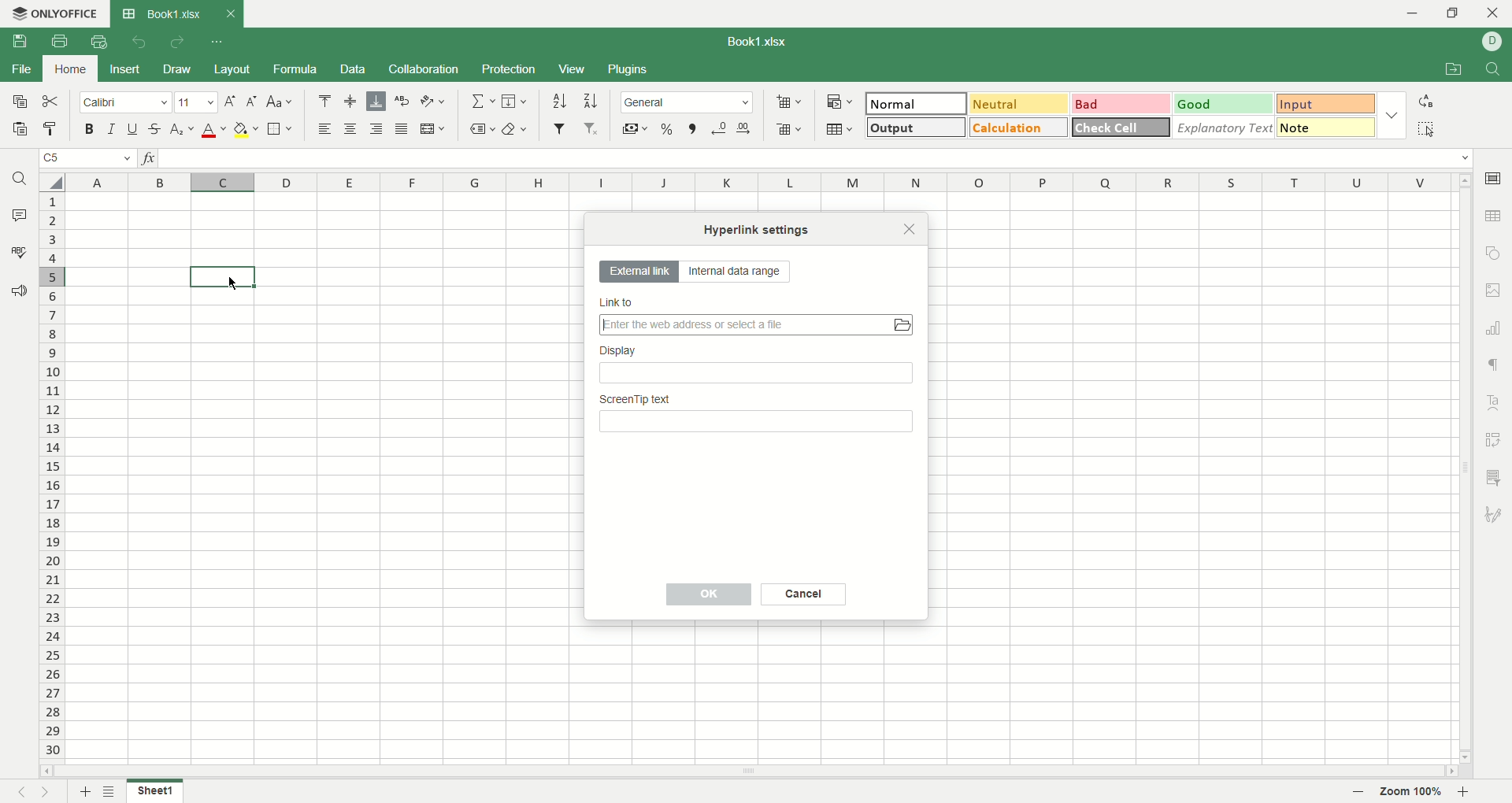 The image size is (1512, 803). I want to click on increase font size, so click(229, 104).